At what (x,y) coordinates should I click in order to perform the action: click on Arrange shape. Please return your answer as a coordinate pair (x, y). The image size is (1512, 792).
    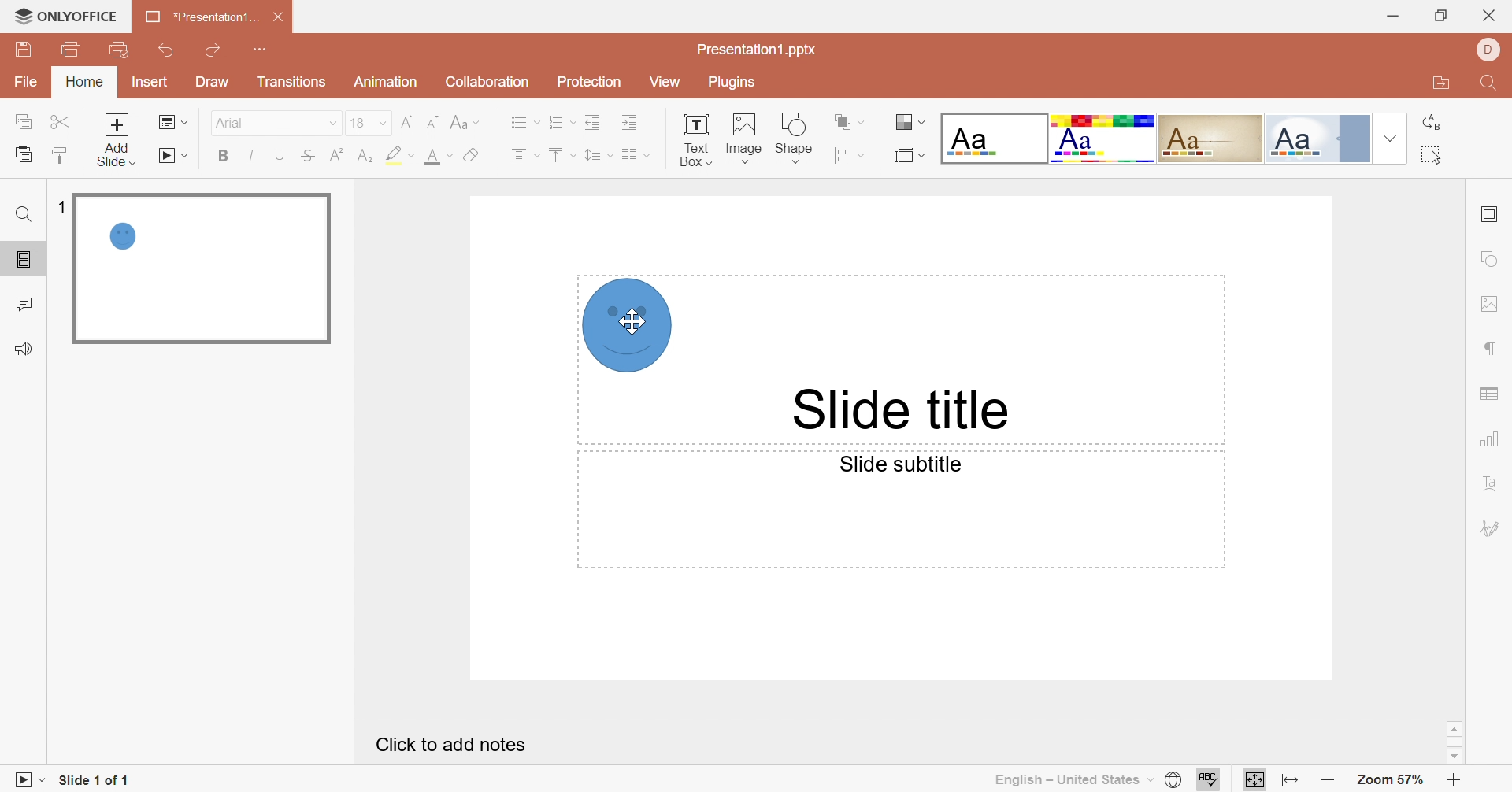
    Looking at the image, I should click on (850, 125).